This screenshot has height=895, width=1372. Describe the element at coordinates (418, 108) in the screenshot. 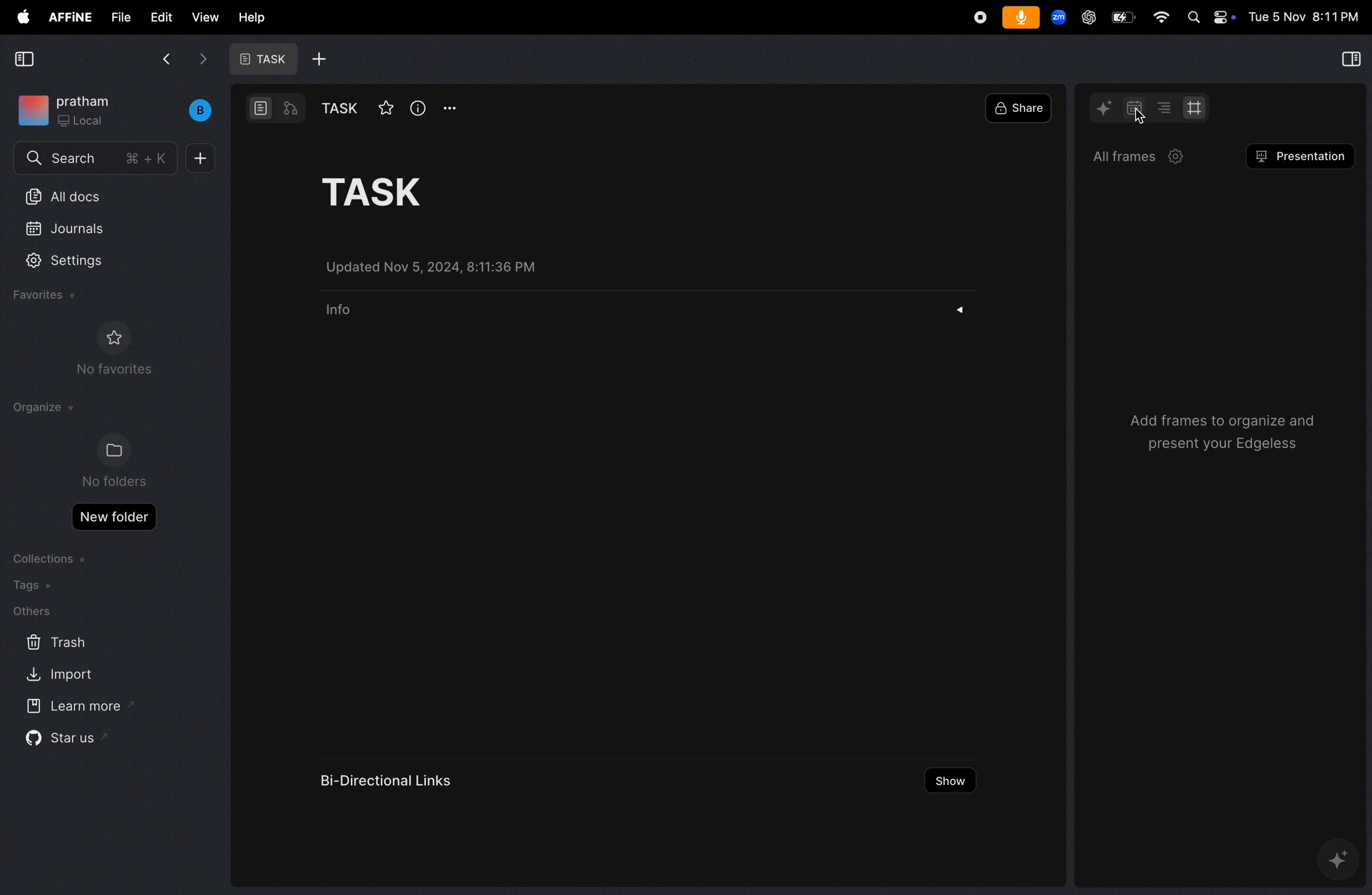

I see `info` at that location.